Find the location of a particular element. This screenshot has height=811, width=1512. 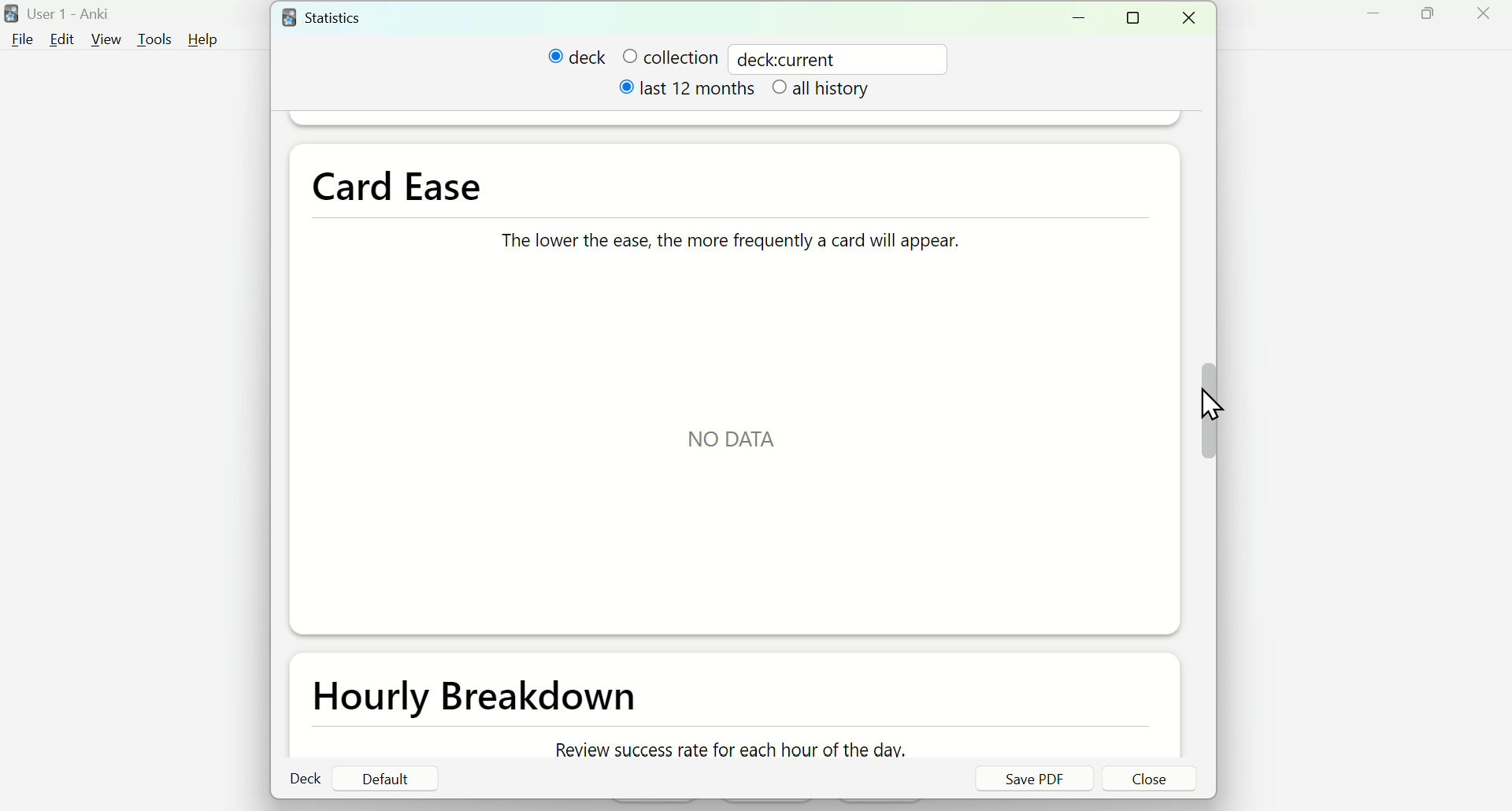

collection is located at coordinates (669, 57).